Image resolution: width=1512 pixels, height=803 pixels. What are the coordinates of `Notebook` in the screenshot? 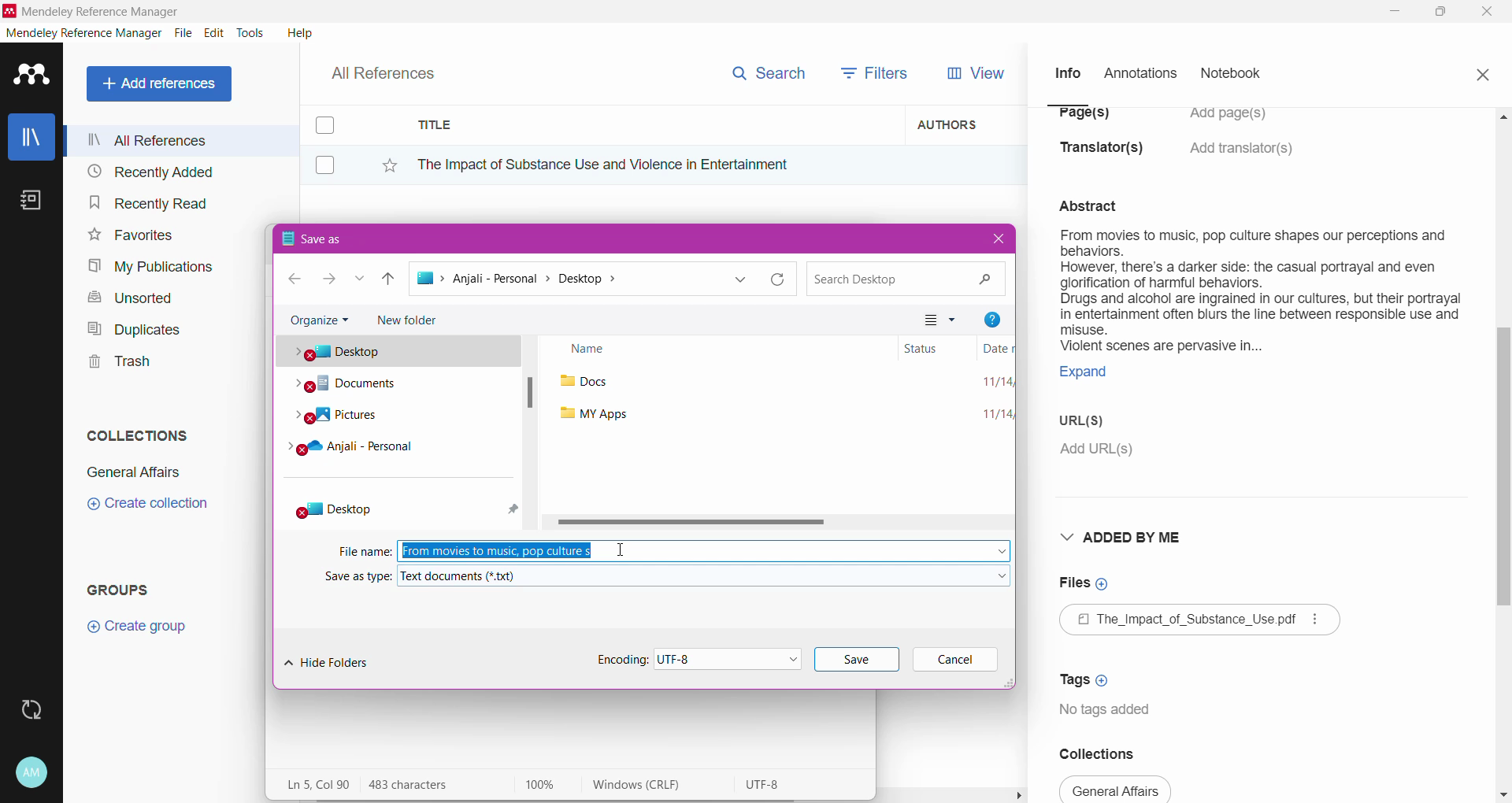 It's located at (1236, 75).